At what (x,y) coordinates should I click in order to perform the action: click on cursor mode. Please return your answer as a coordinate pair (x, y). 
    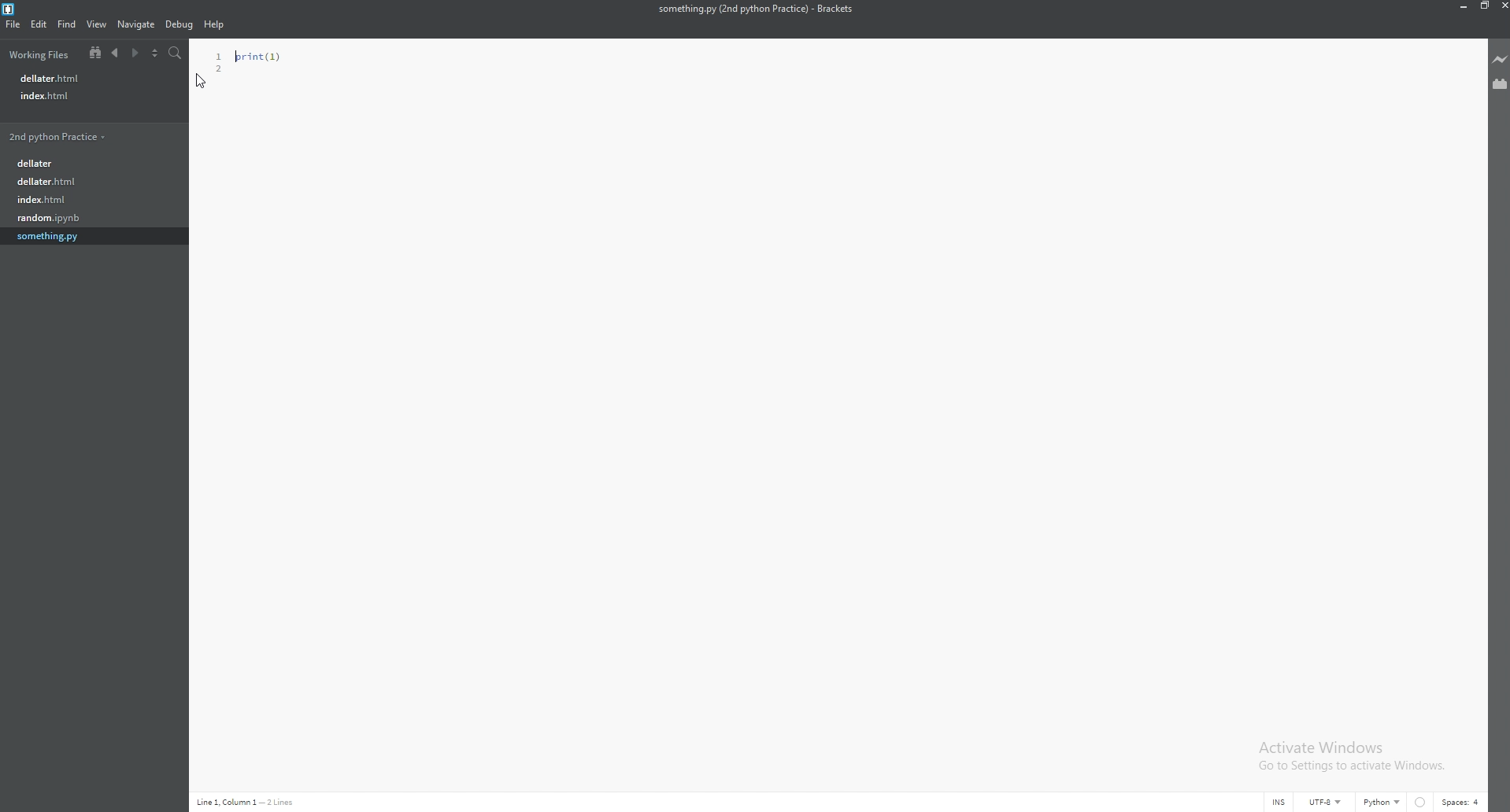
    Looking at the image, I should click on (1279, 802).